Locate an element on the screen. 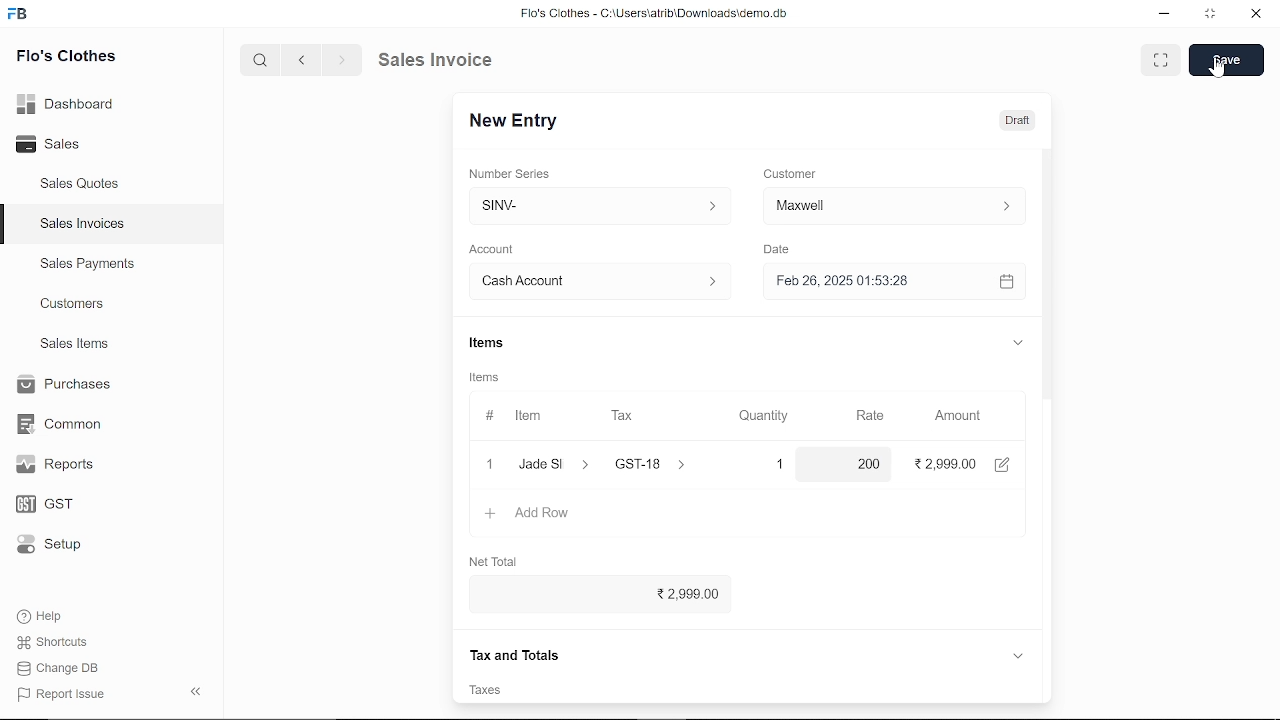  Flo's Clothes - C:\UsersatribiDownloads\demo.do is located at coordinates (662, 15).